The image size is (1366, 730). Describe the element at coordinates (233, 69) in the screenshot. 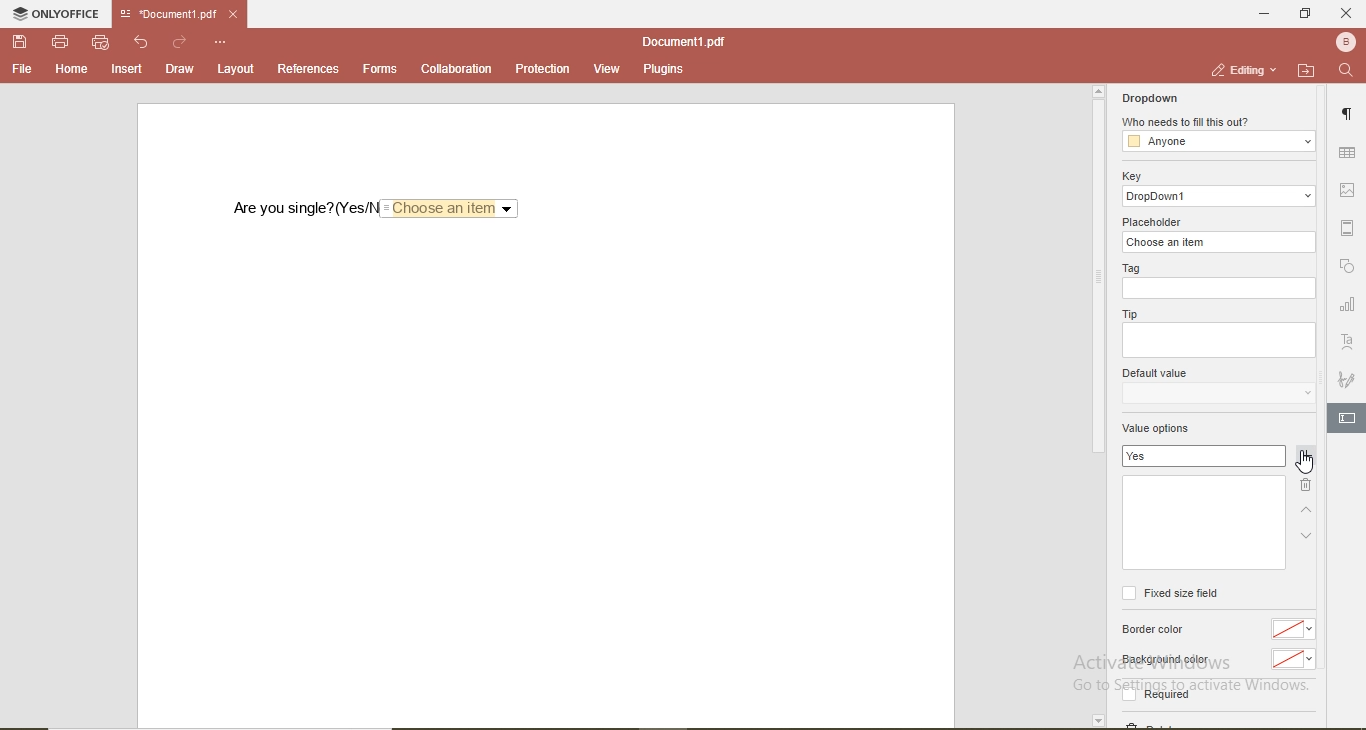

I see `layout` at that location.